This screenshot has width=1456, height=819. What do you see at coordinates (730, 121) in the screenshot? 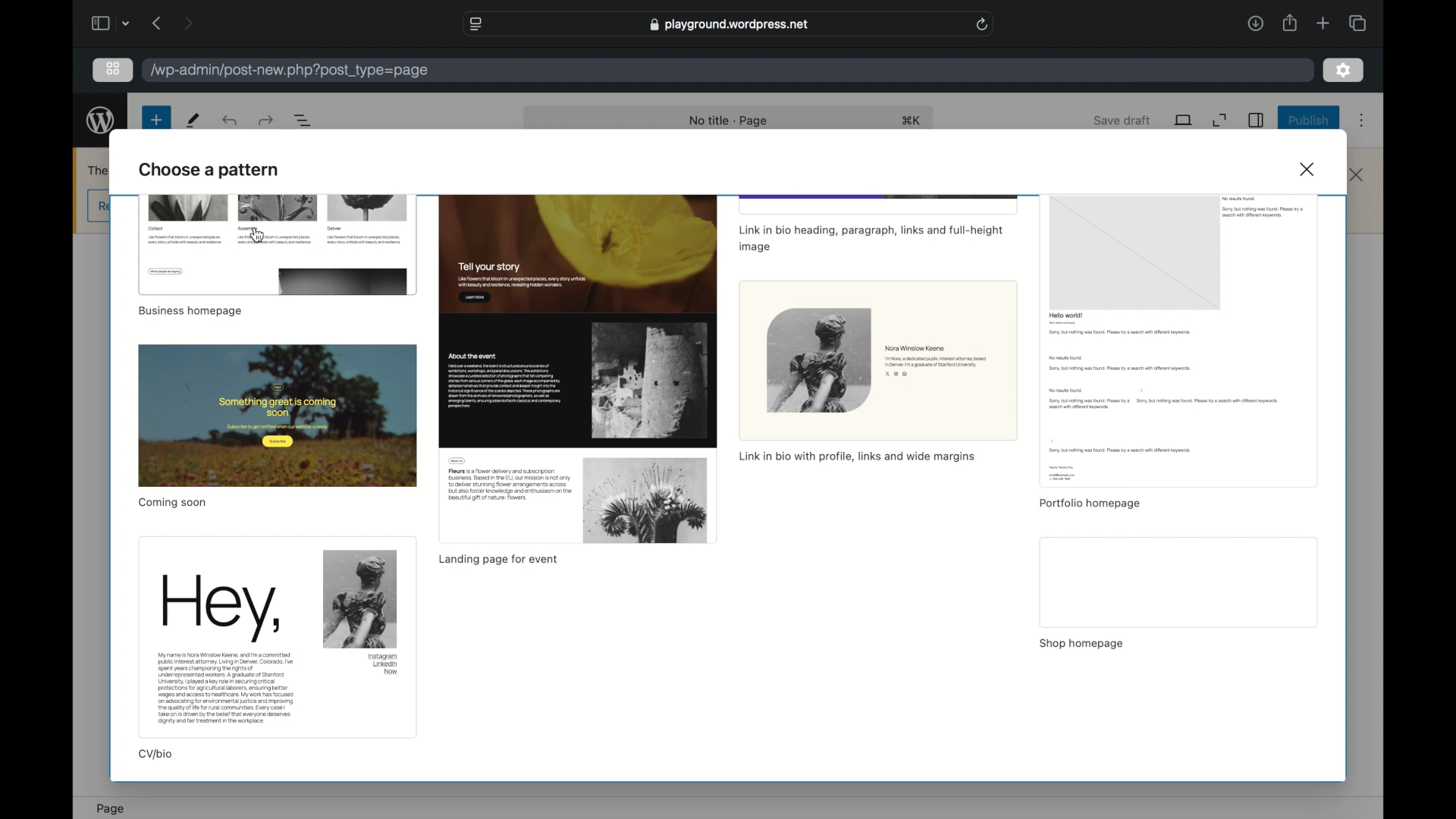
I see `no title - page` at bounding box center [730, 121].